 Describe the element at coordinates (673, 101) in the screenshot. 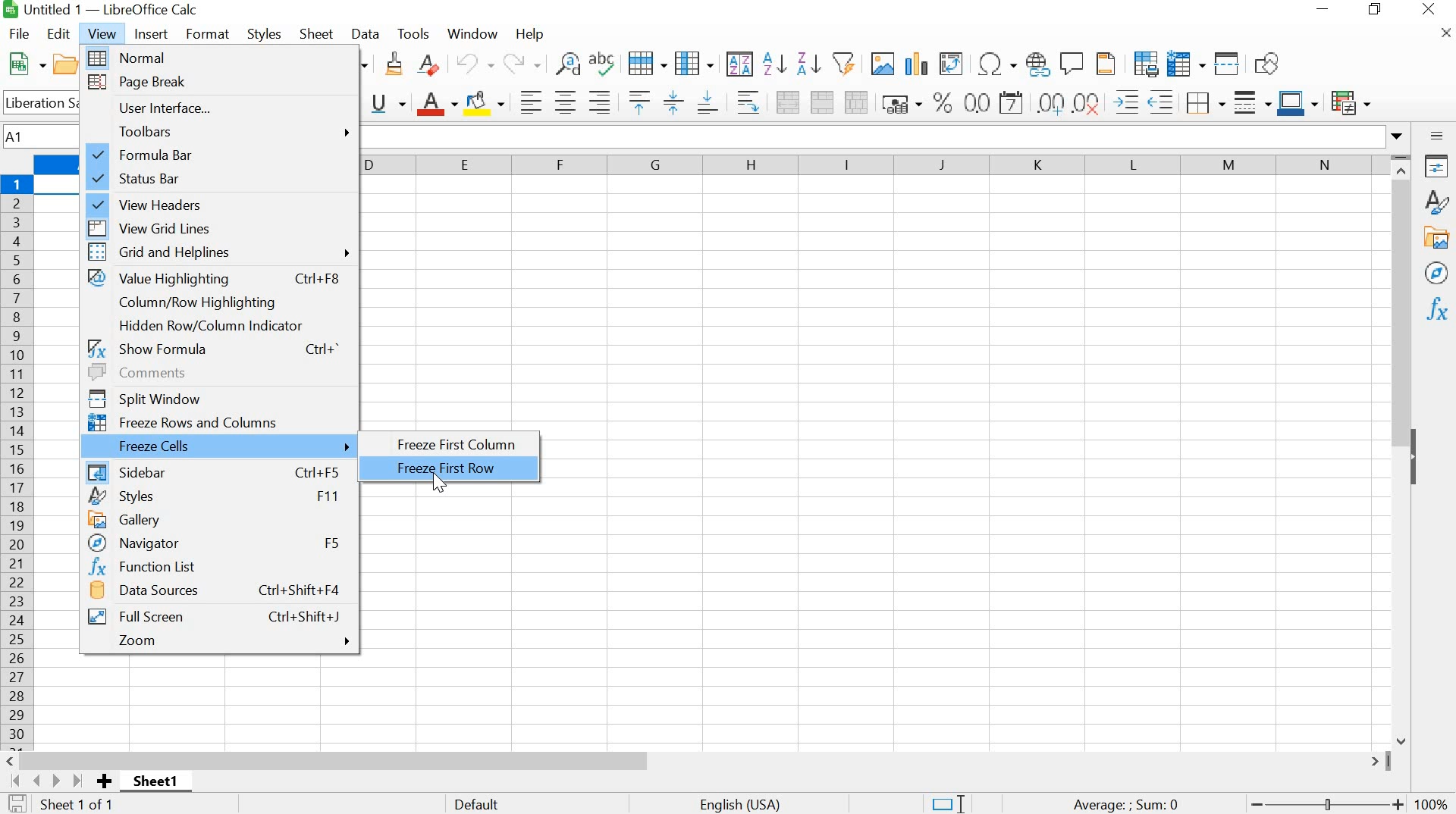

I see `CENTER VERTICALLY` at that location.